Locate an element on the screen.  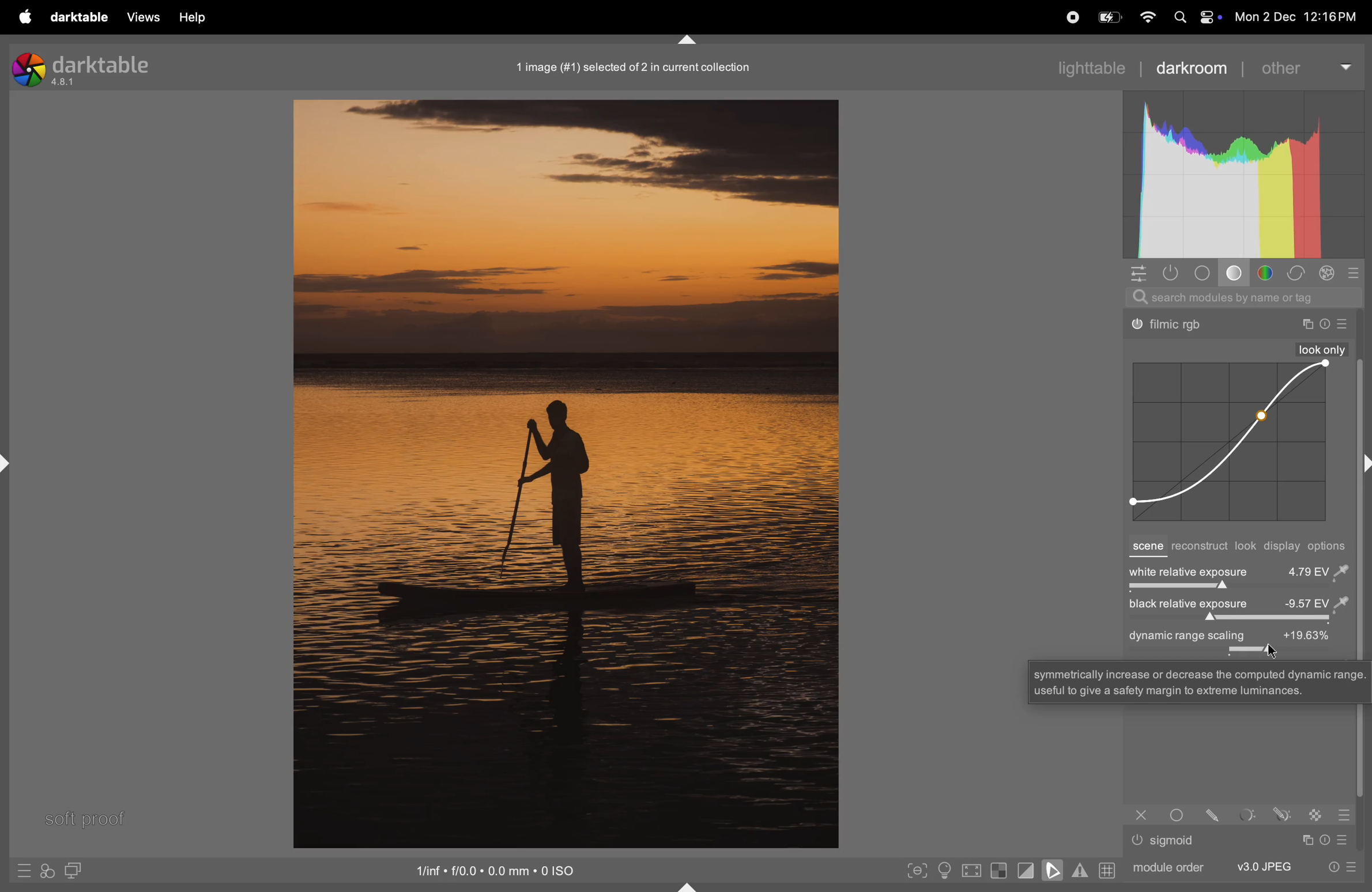
 is located at coordinates (1347, 840).